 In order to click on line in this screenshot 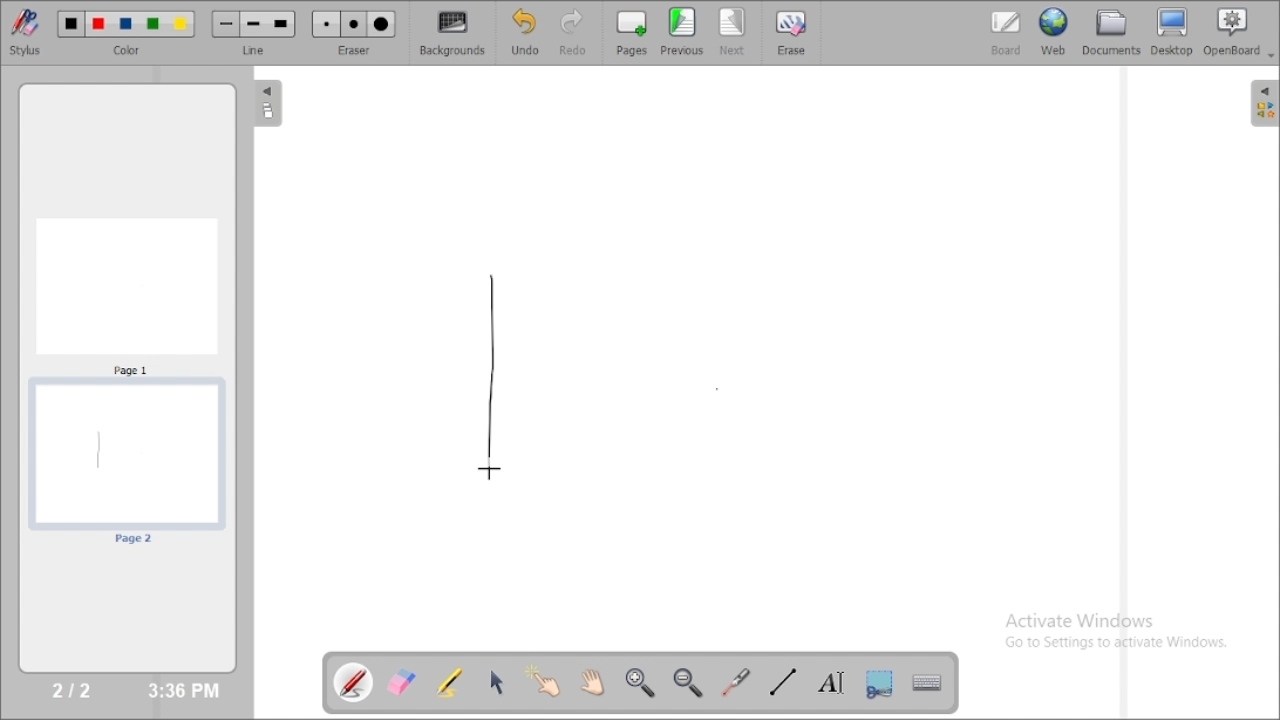, I will do `click(490, 362)`.